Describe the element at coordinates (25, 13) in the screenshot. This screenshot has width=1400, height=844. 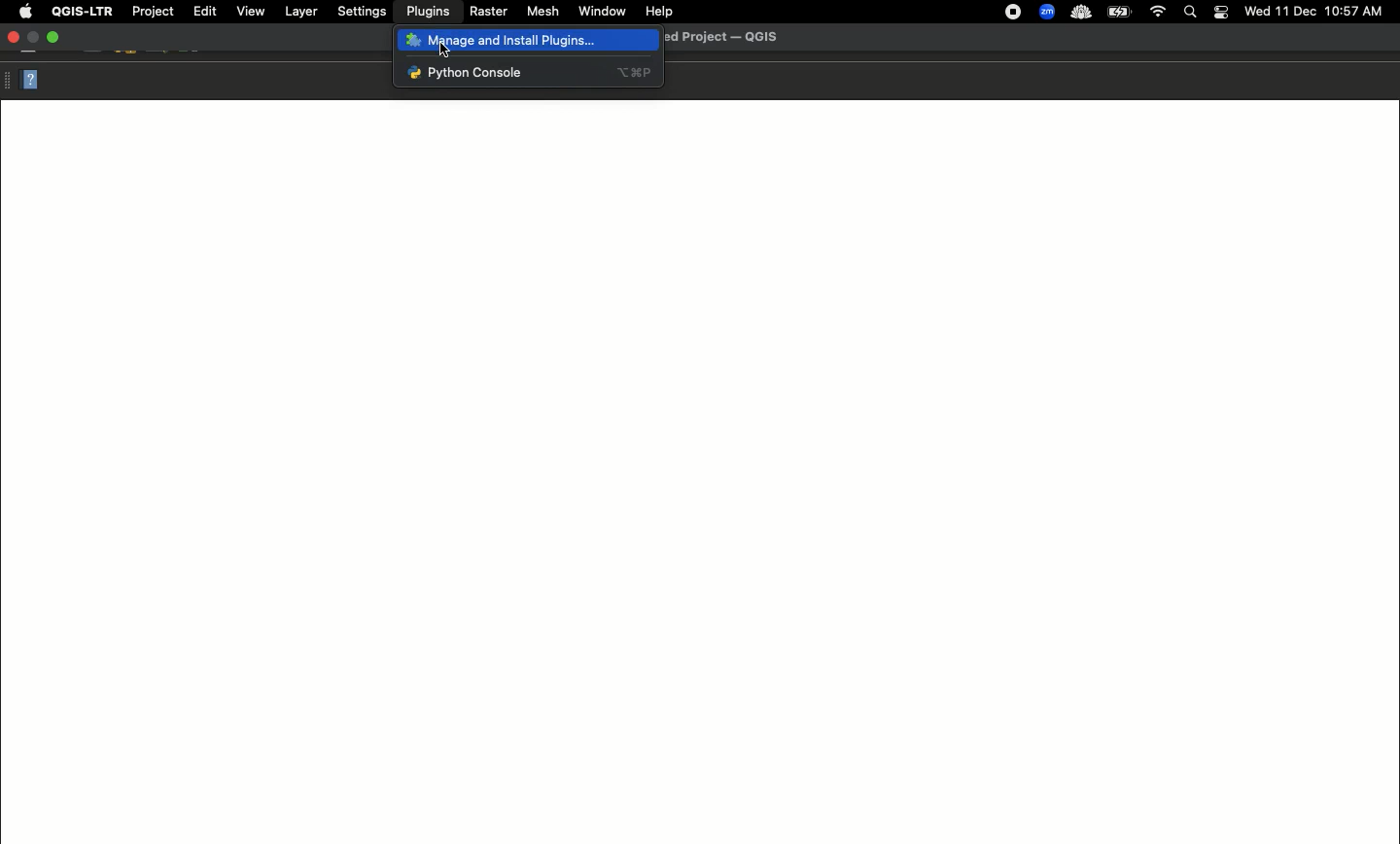
I see `Apple logo` at that location.